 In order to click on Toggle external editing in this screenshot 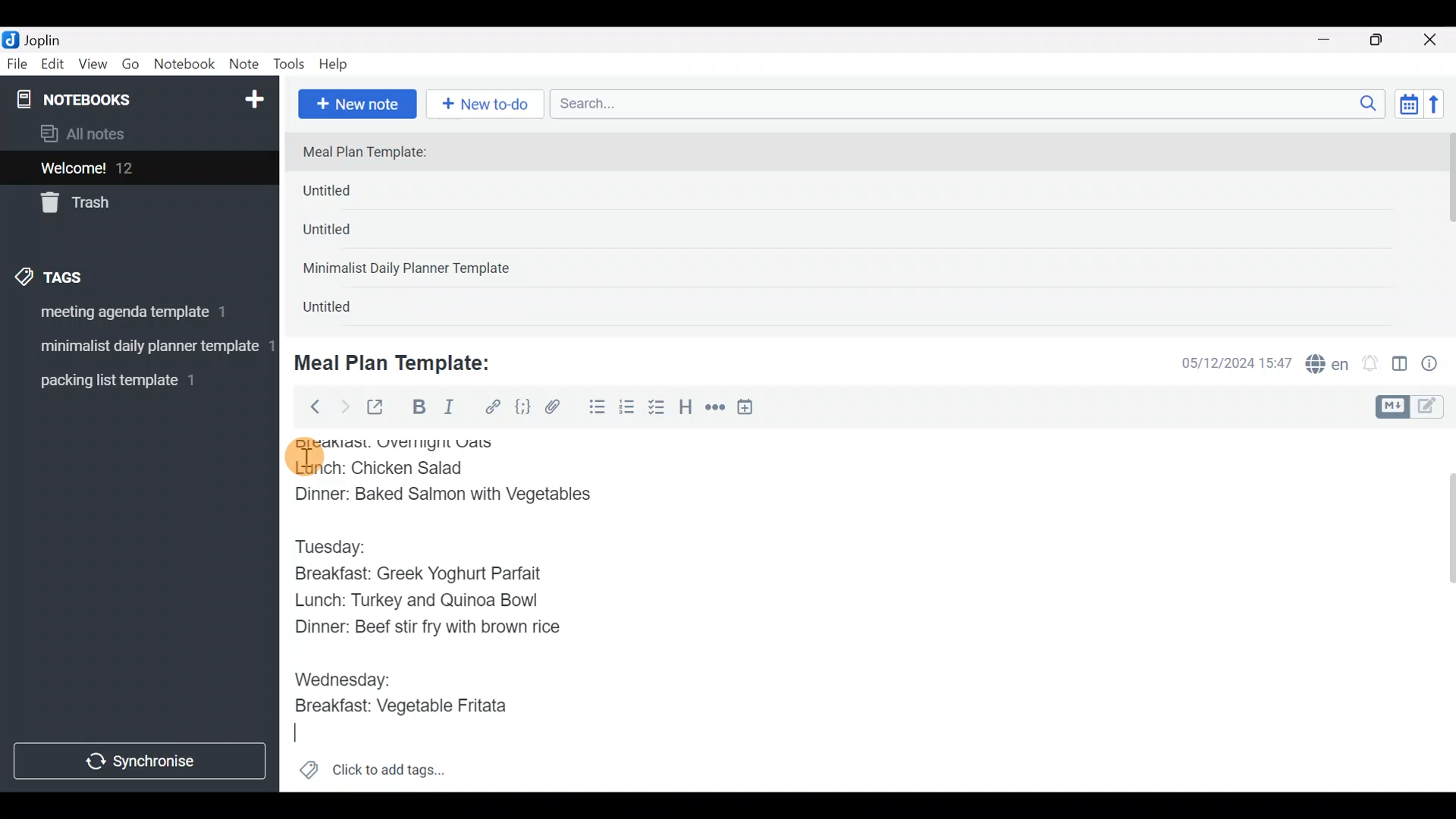, I will do `click(381, 408)`.